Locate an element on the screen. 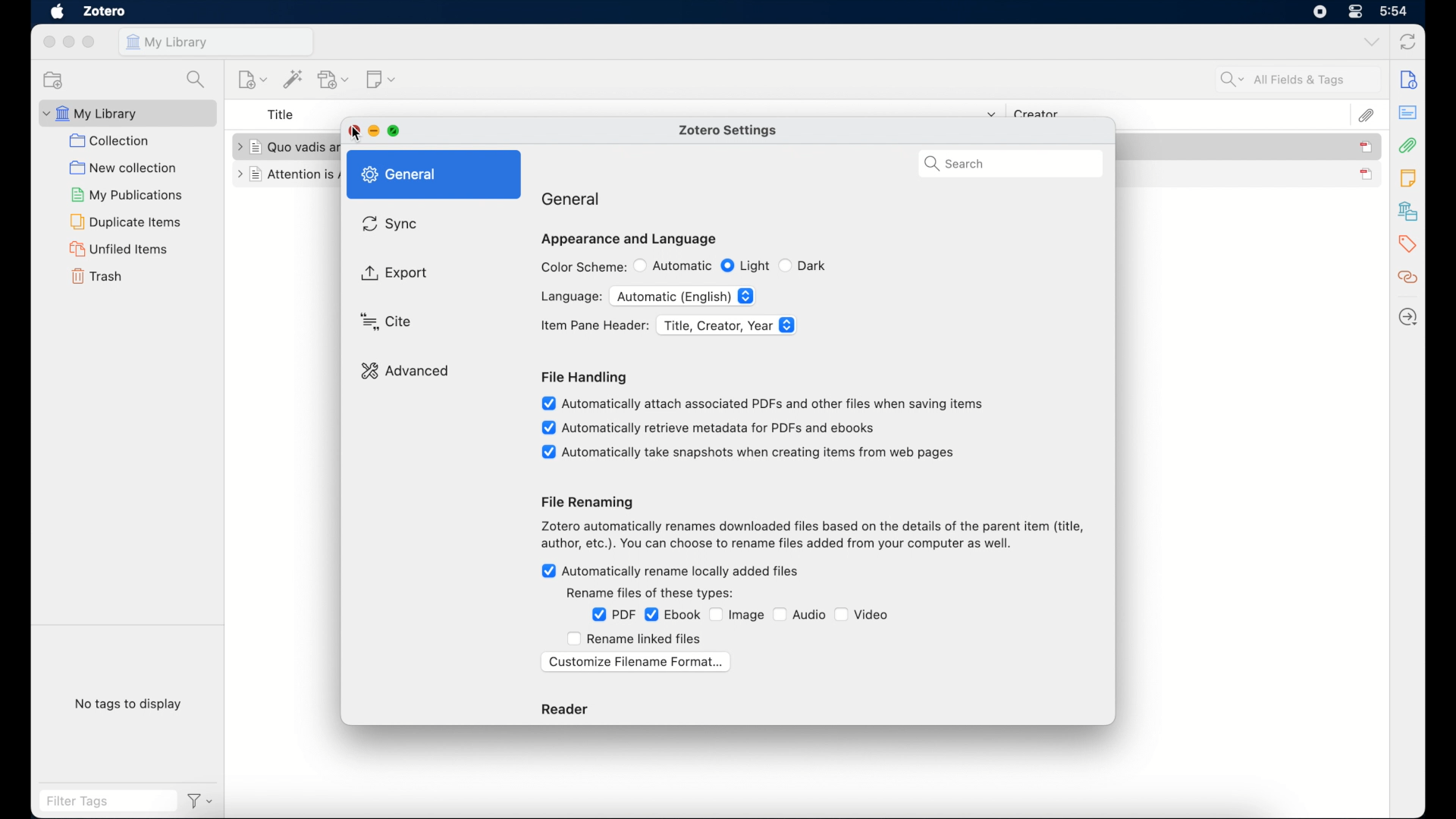 The image size is (1456, 819). maximize is located at coordinates (395, 131).